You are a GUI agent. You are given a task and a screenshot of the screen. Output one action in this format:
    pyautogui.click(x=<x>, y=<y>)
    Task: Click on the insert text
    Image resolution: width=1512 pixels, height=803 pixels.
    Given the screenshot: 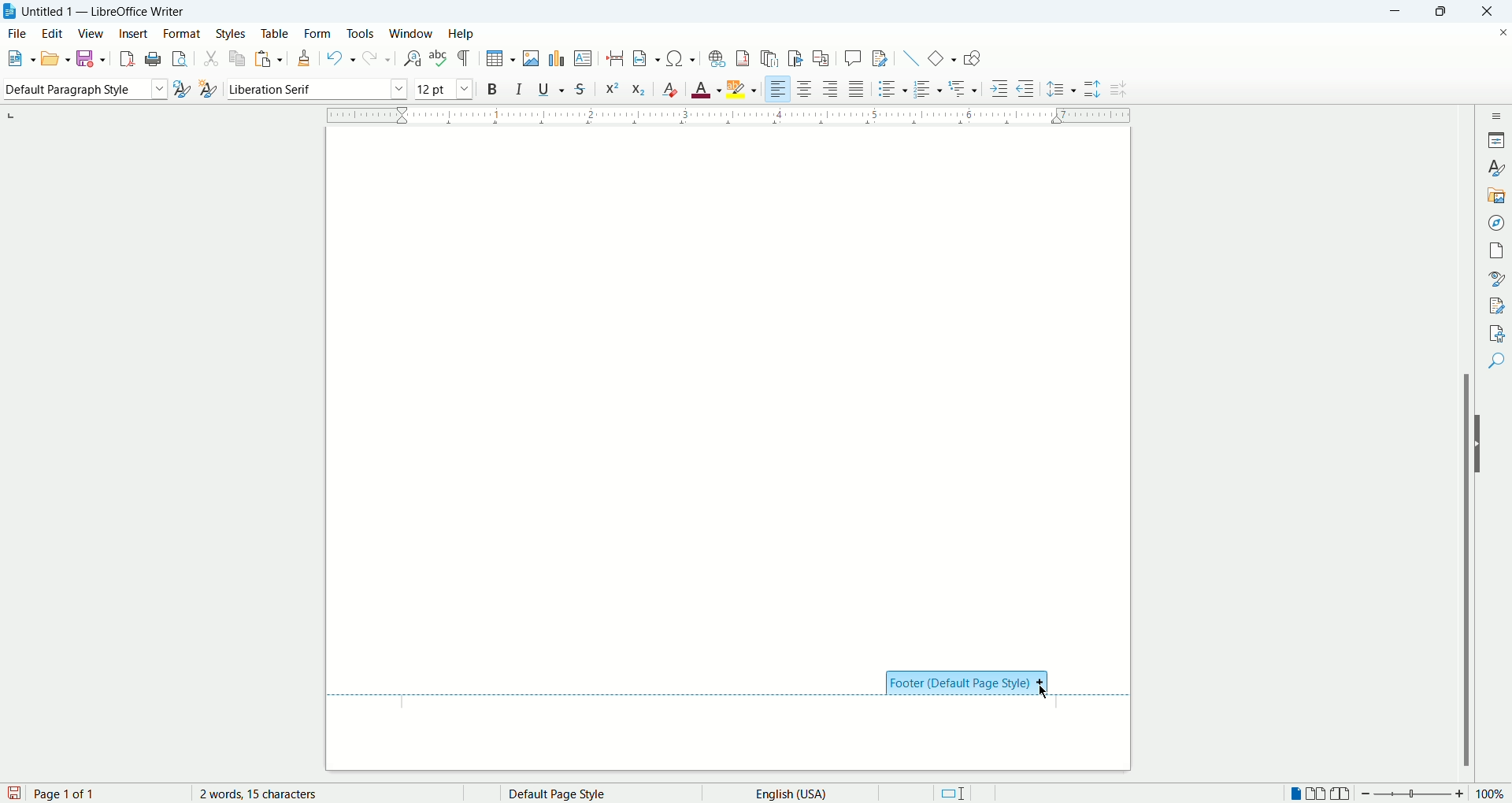 What is the action you would take?
    pyautogui.click(x=582, y=59)
    